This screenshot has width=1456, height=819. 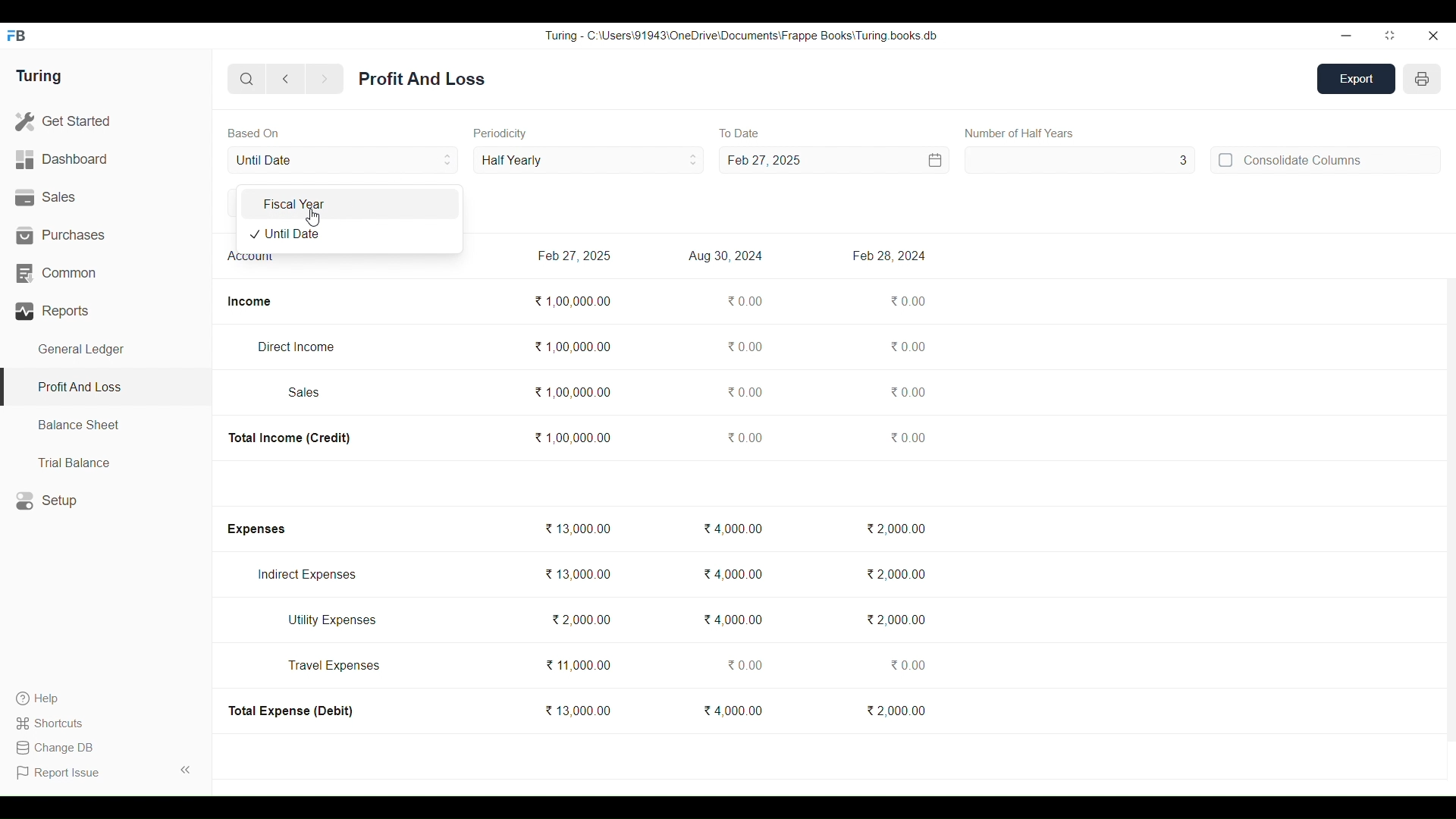 What do you see at coordinates (348, 235) in the screenshot?
I see `Until Date` at bounding box center [348, 235].